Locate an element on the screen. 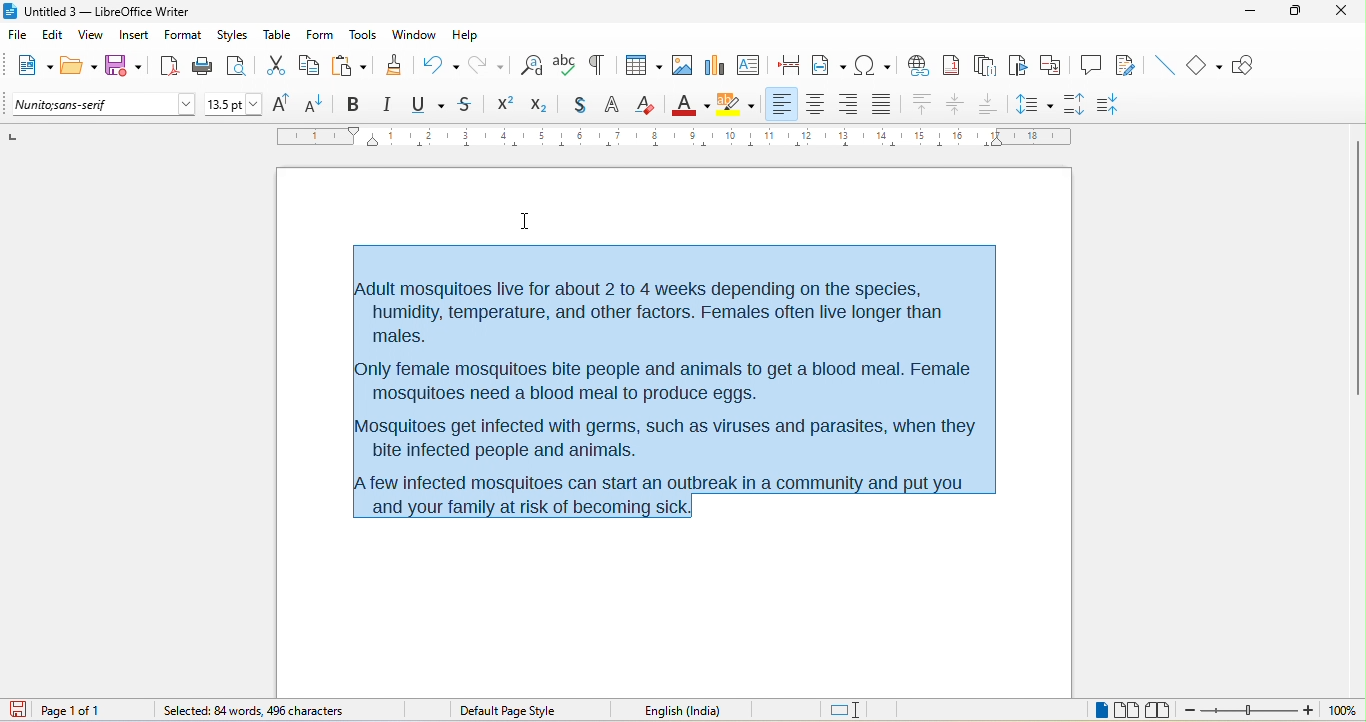  strikethrough is located at coordinates (468, 104).